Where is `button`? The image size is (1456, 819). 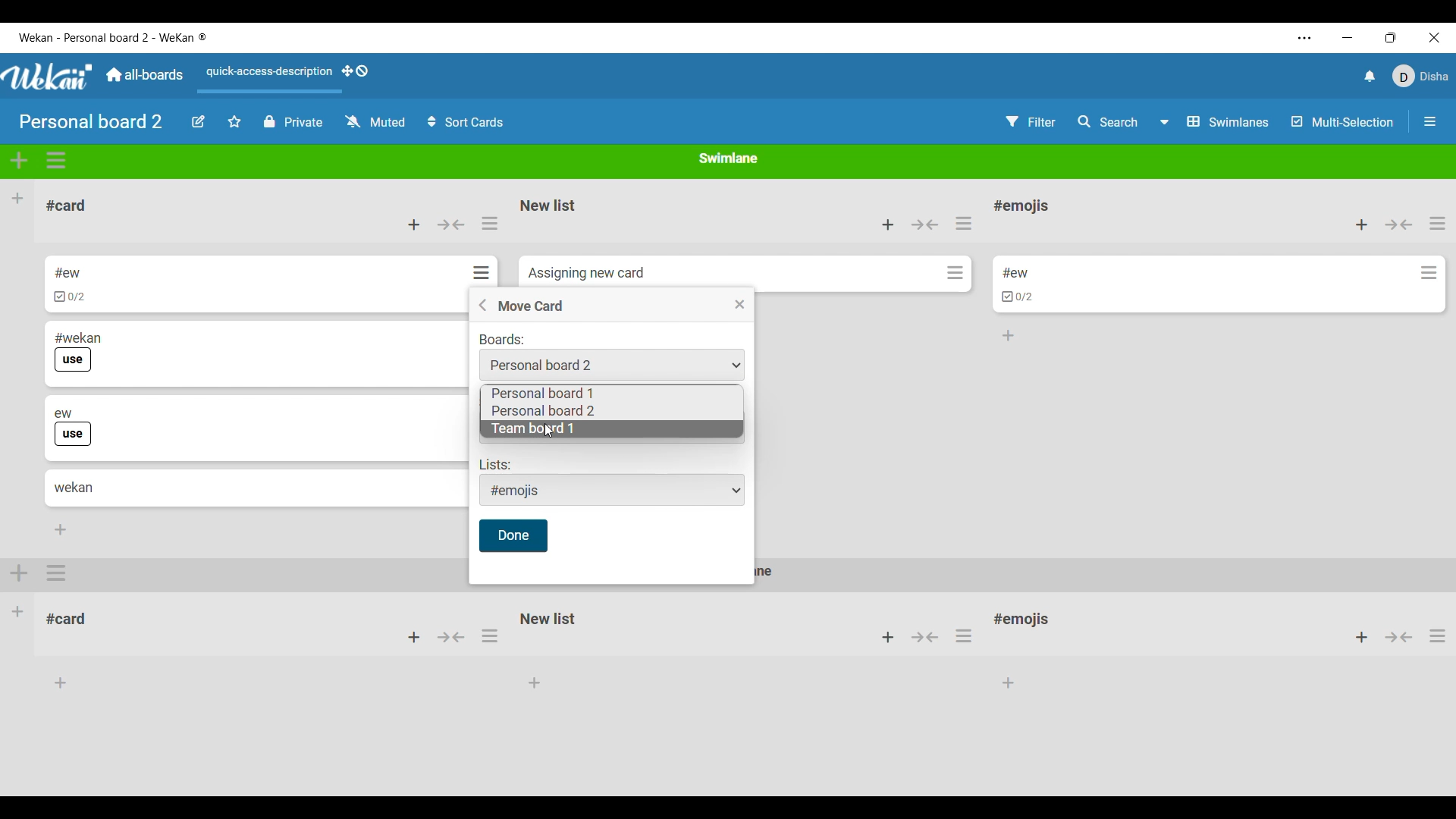
button is located at coordinates (925, 636).